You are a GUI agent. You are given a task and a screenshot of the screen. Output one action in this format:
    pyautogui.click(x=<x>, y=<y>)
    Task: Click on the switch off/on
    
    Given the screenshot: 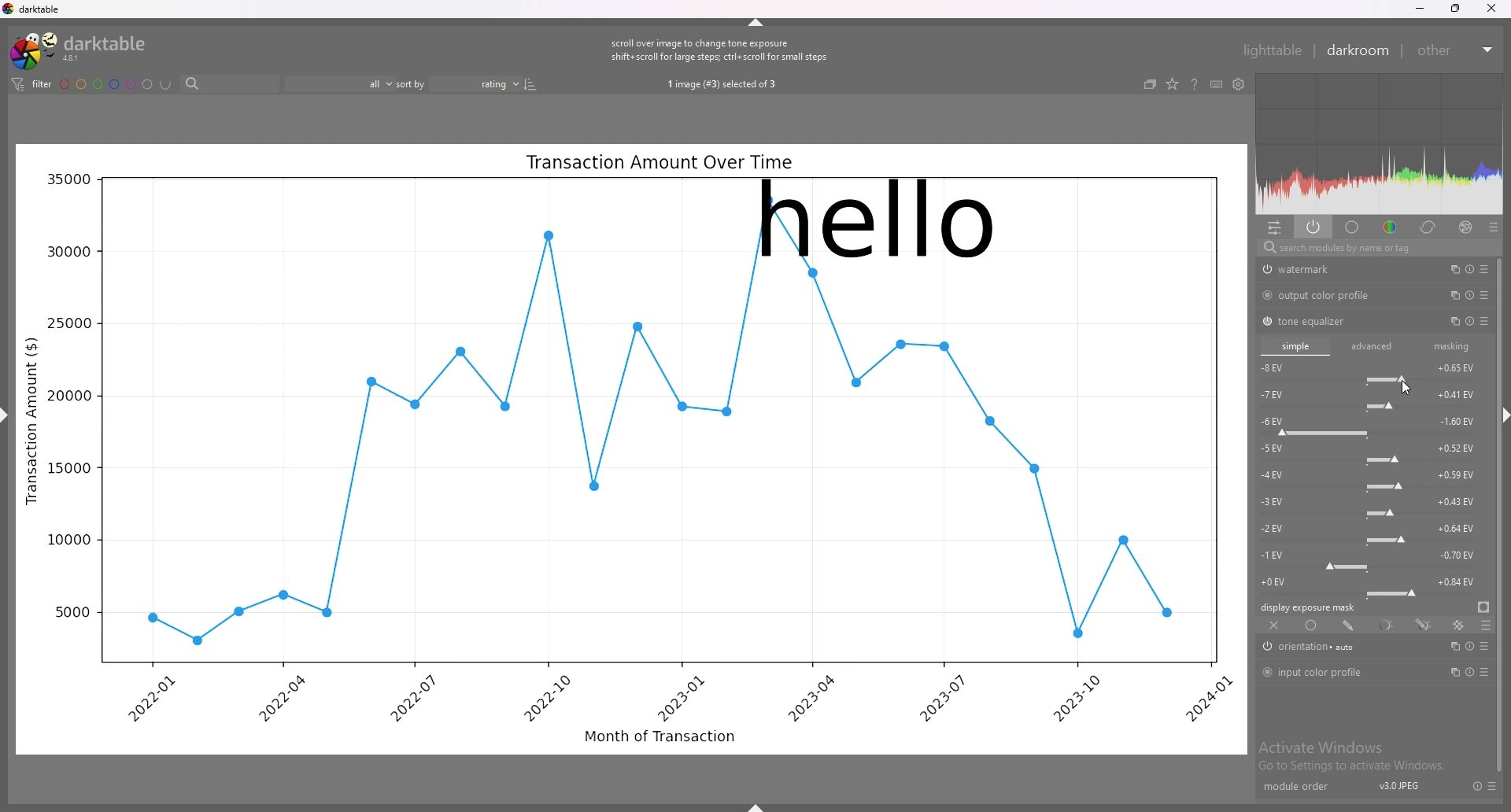 What is the action you would take?
    pyautogui.click(x=1266, y=648)
    